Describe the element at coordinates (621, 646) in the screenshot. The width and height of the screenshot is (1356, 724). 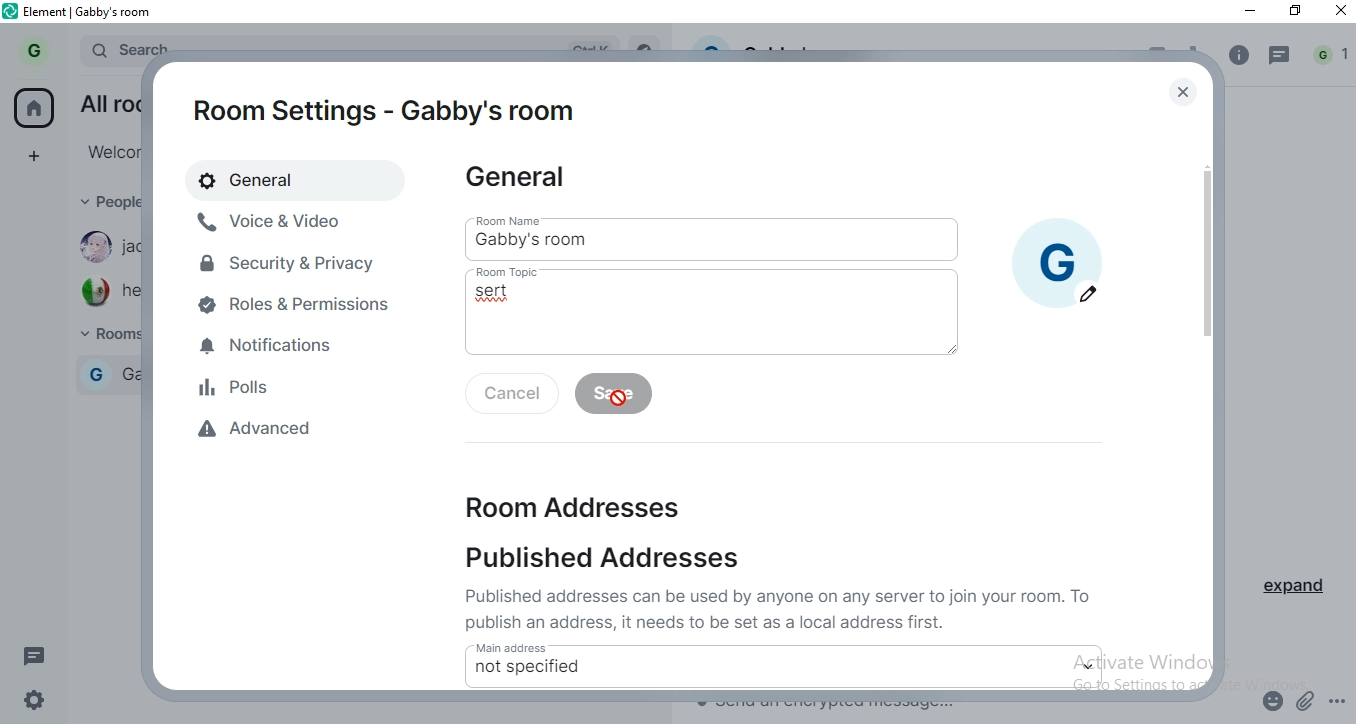
I see `main address` at that location.